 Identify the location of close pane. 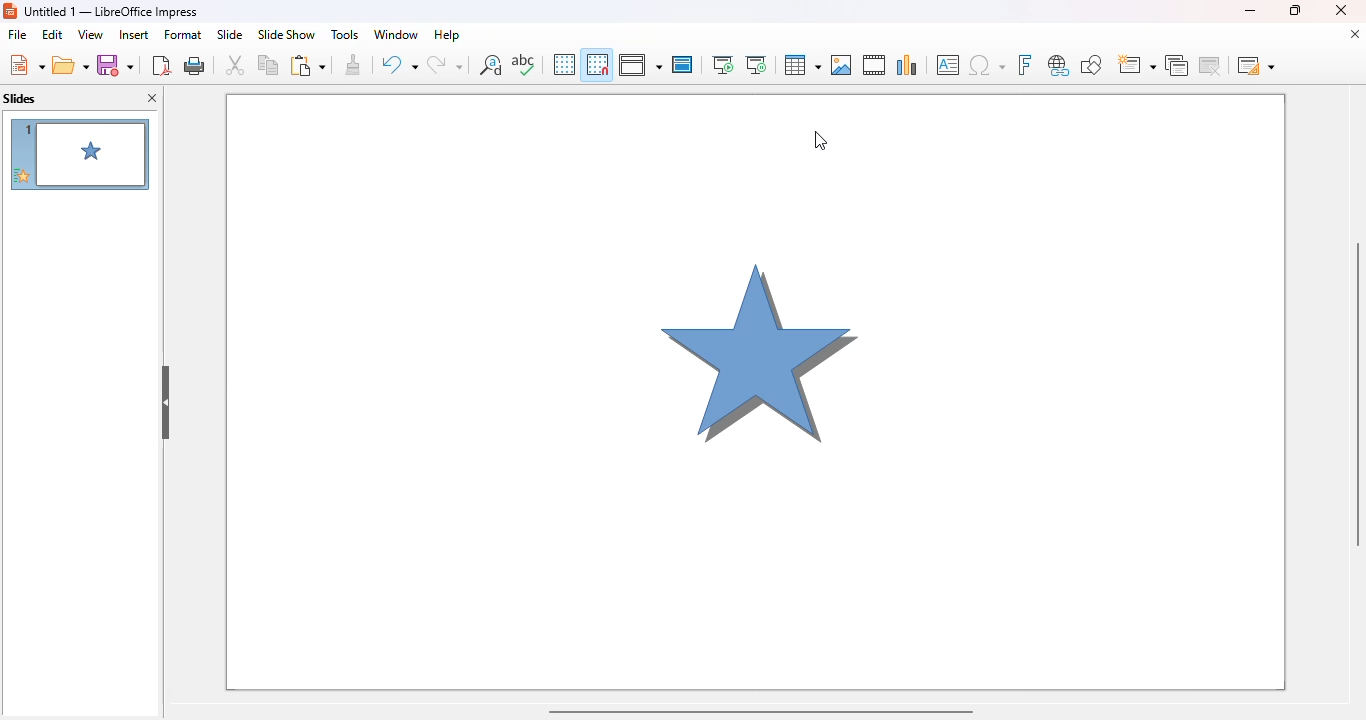
(152, 97).